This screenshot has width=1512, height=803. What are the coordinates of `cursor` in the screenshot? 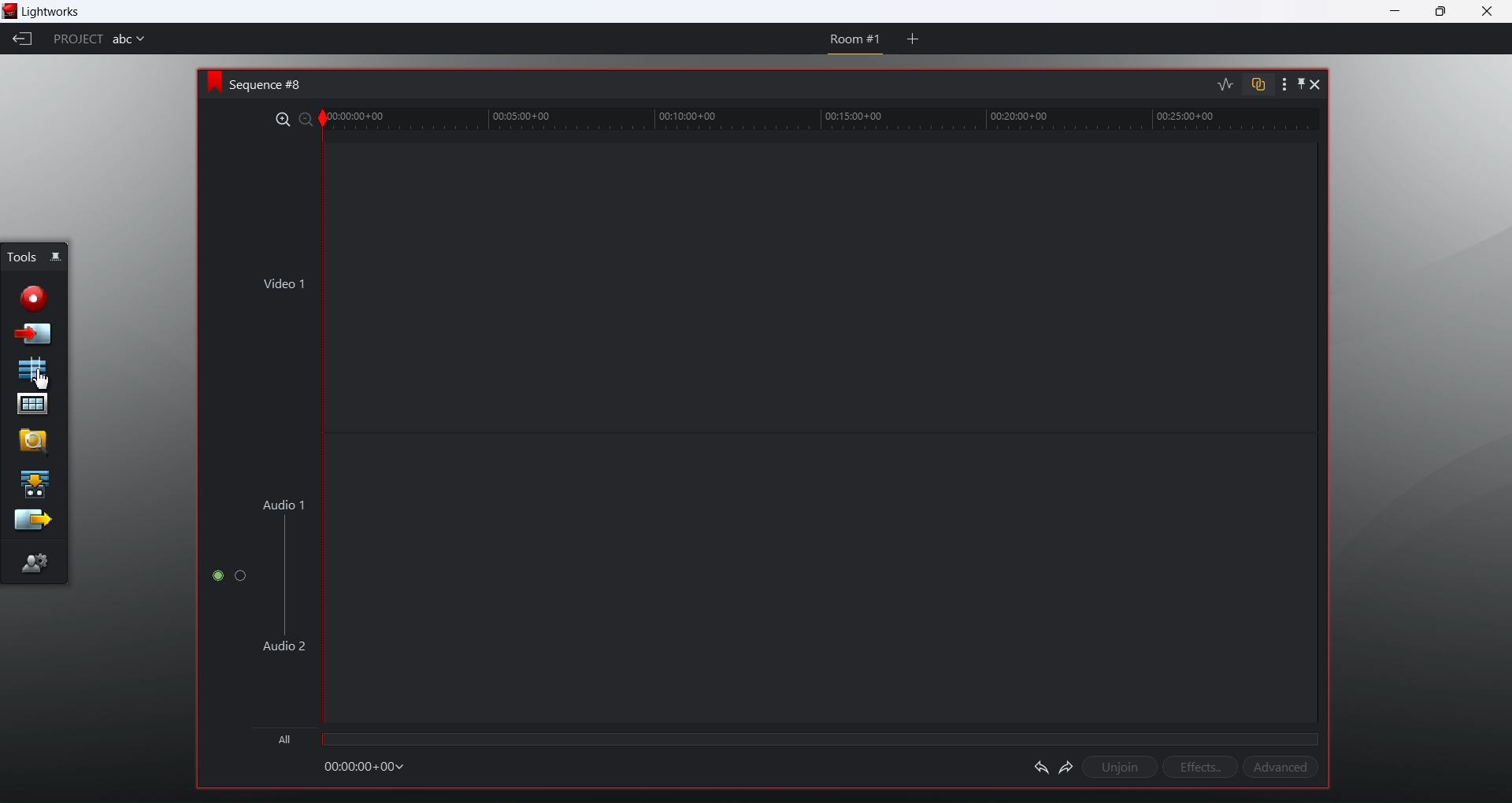 It's located at (41, 378).